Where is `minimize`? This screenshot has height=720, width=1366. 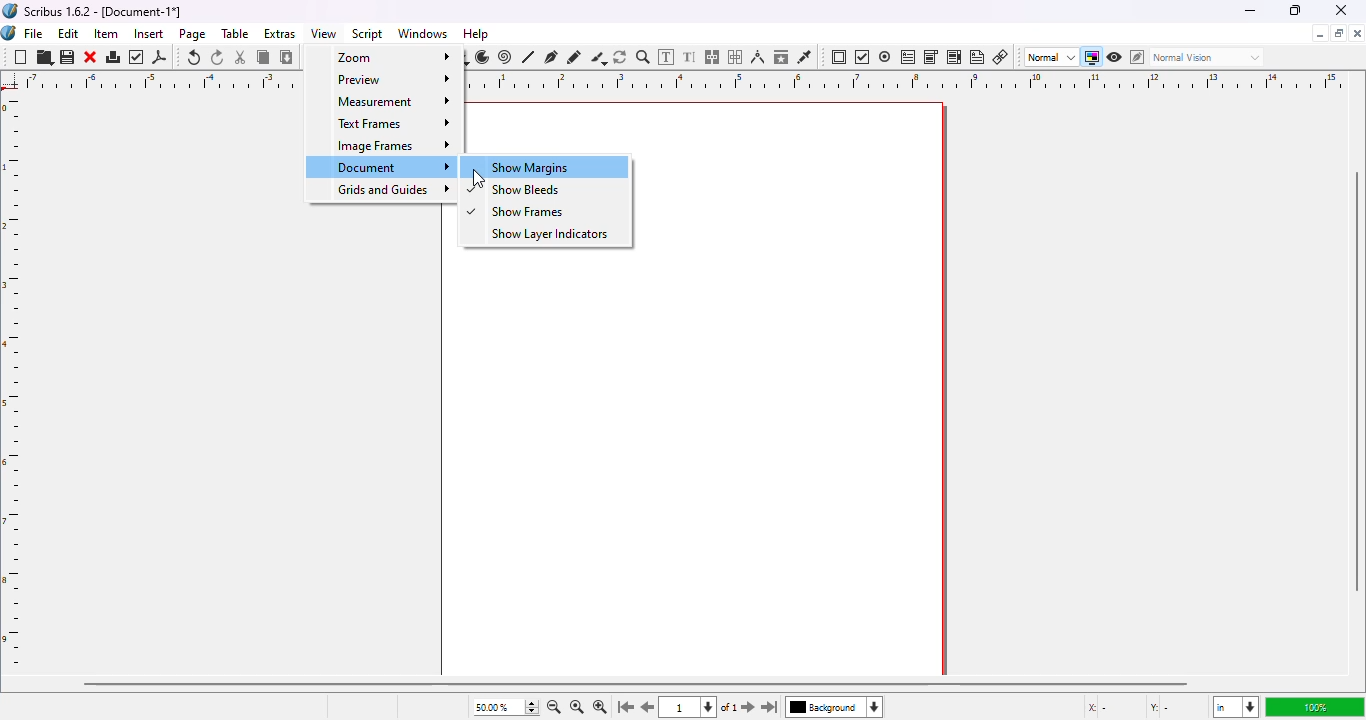
minimize is located at coordinates (1249, 10).